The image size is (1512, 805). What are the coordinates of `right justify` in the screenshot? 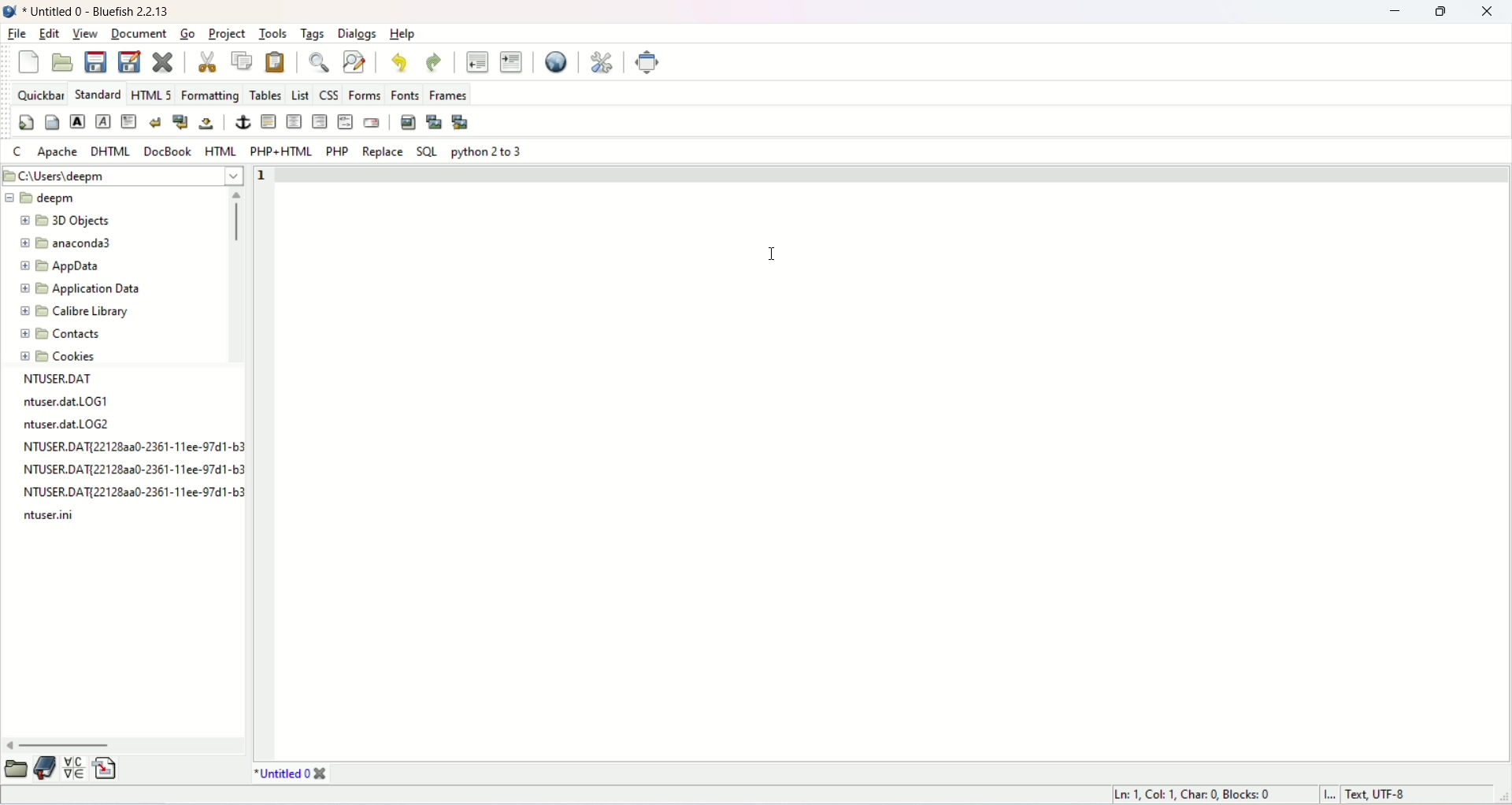 It's located at (320, 124).